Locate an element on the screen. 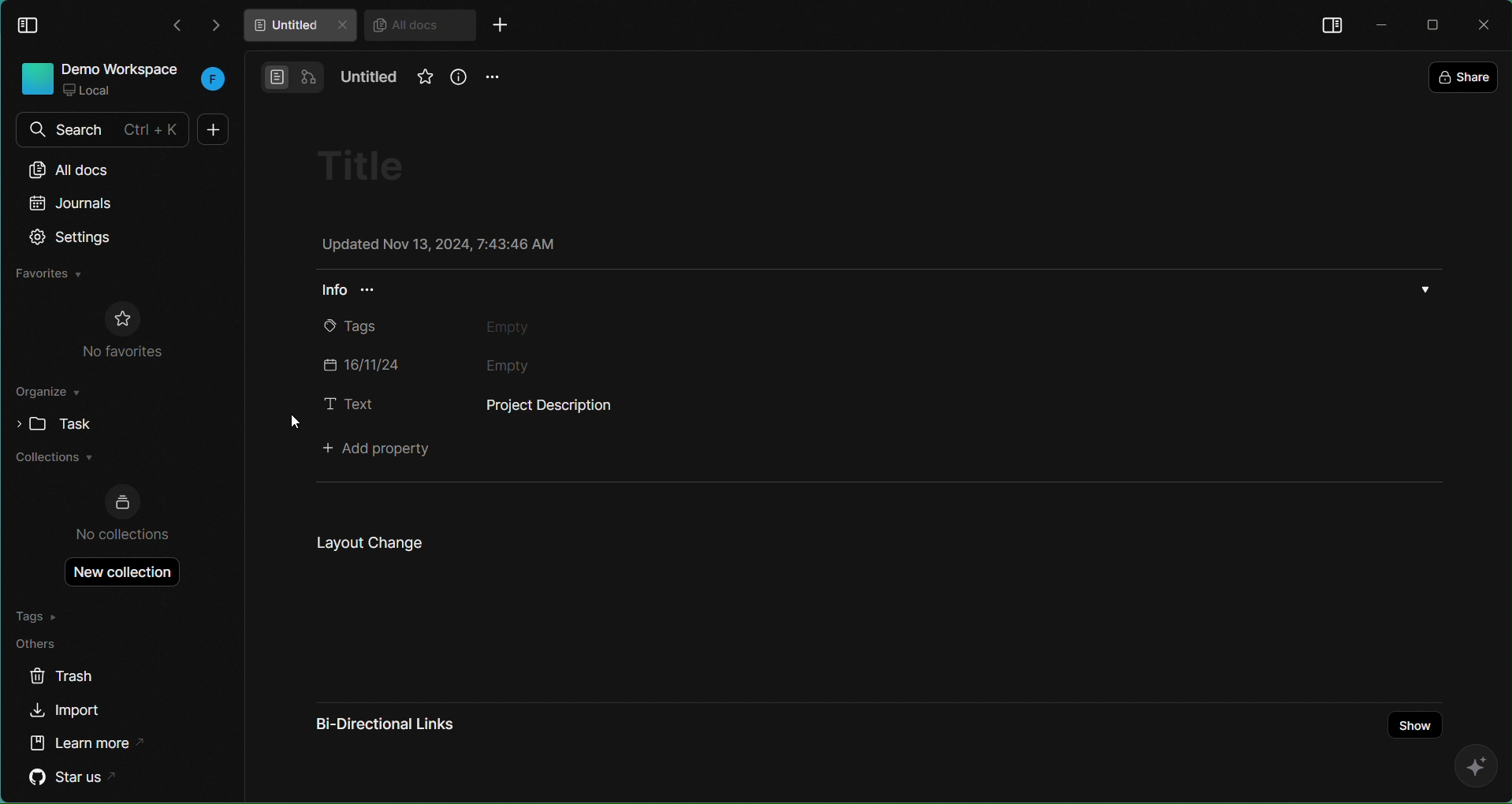 Image resolution: width=1512 pixels, height=804 pixels. ( Untitled is located at coordinates (298, 26).